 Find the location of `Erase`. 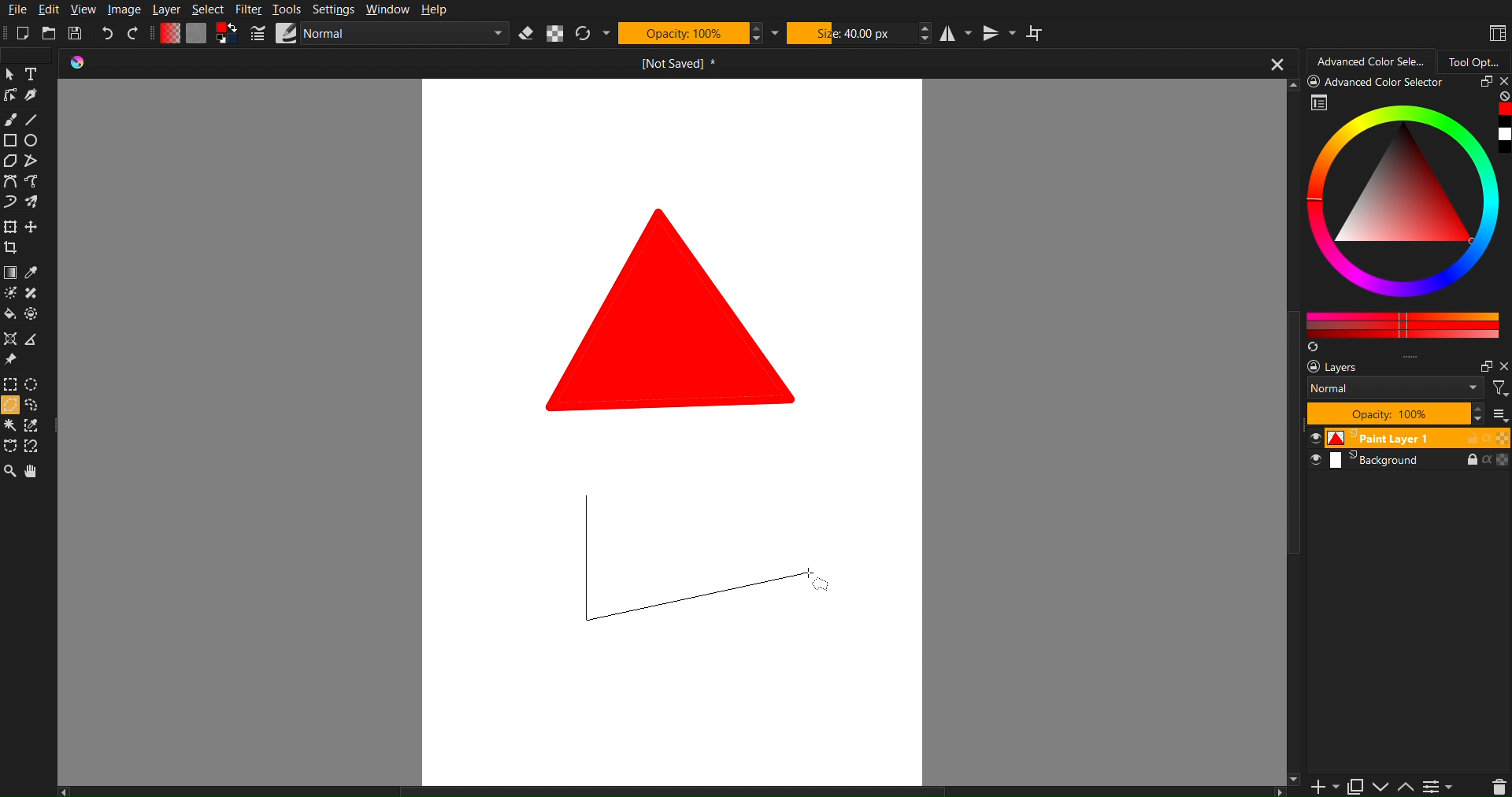

Erase is located at coordinates (526, 34).